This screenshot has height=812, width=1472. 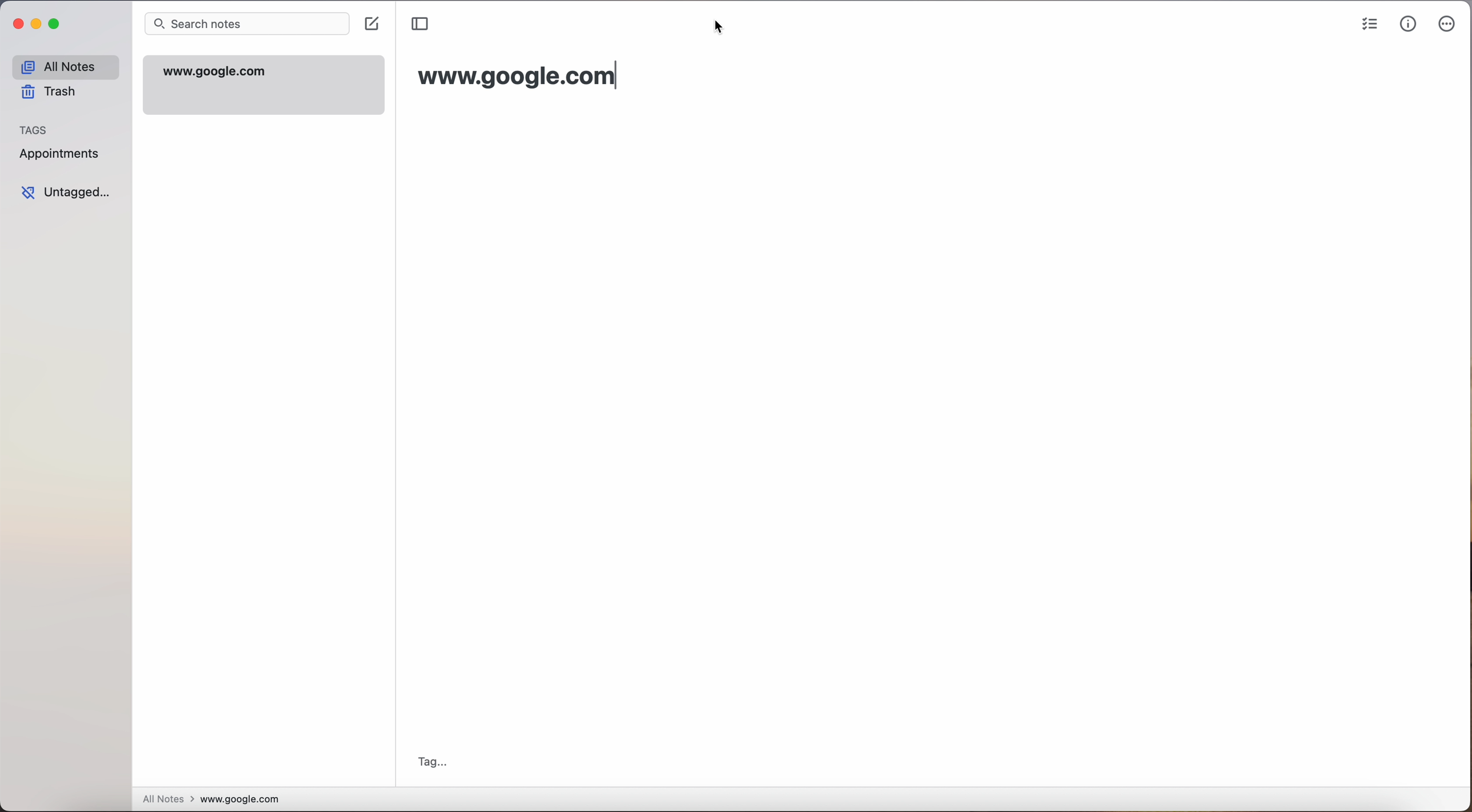 What do you see at coordinates (61, 154) in the screenshot?
I see `appointments` at bounding box center [61, 154].